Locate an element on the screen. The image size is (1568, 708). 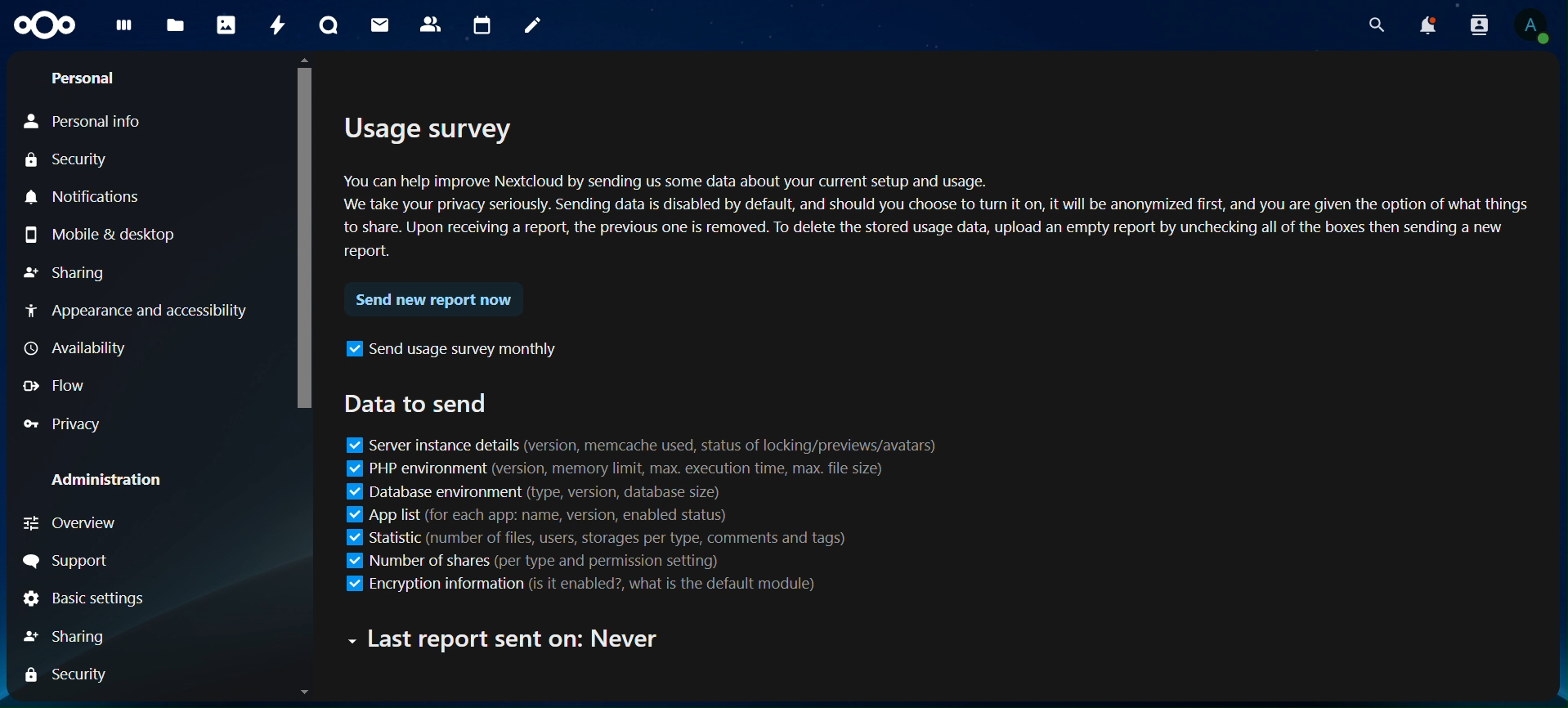
contacts is located at coordinates (431, 25).